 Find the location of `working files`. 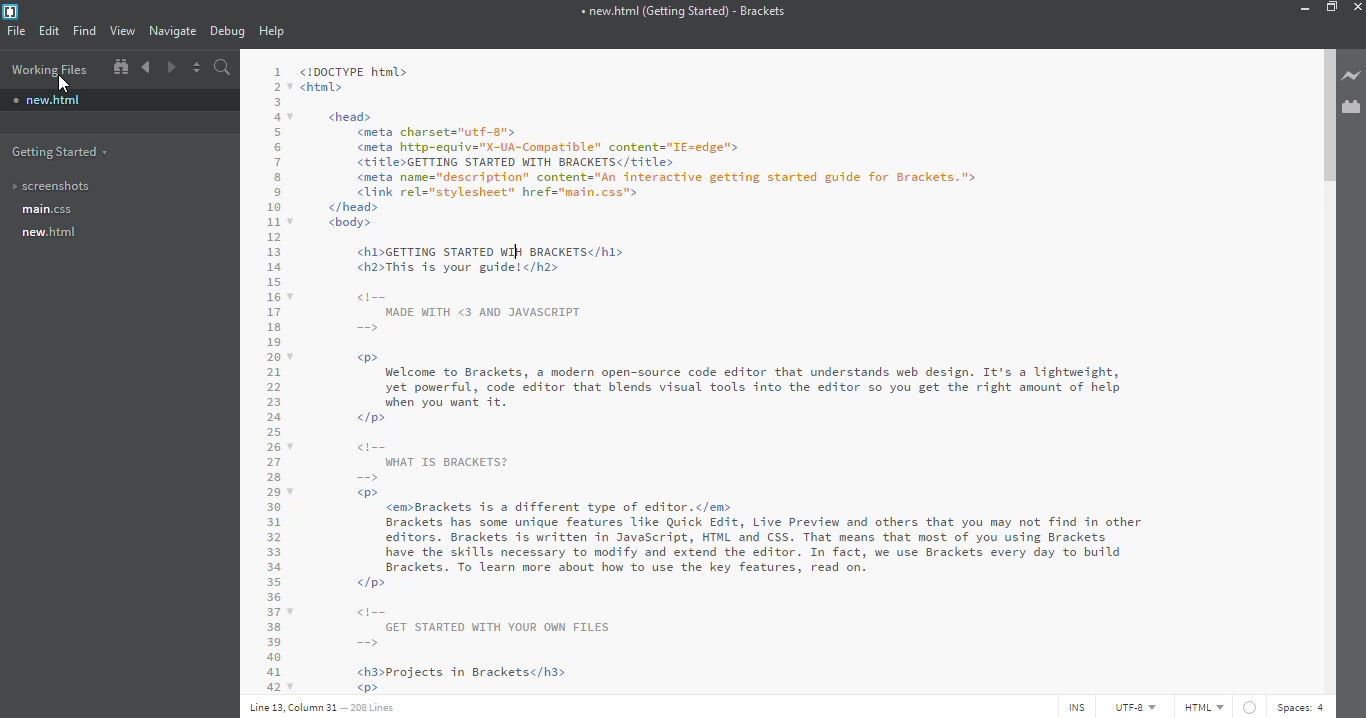

working files is located at coordinates (49, 69).